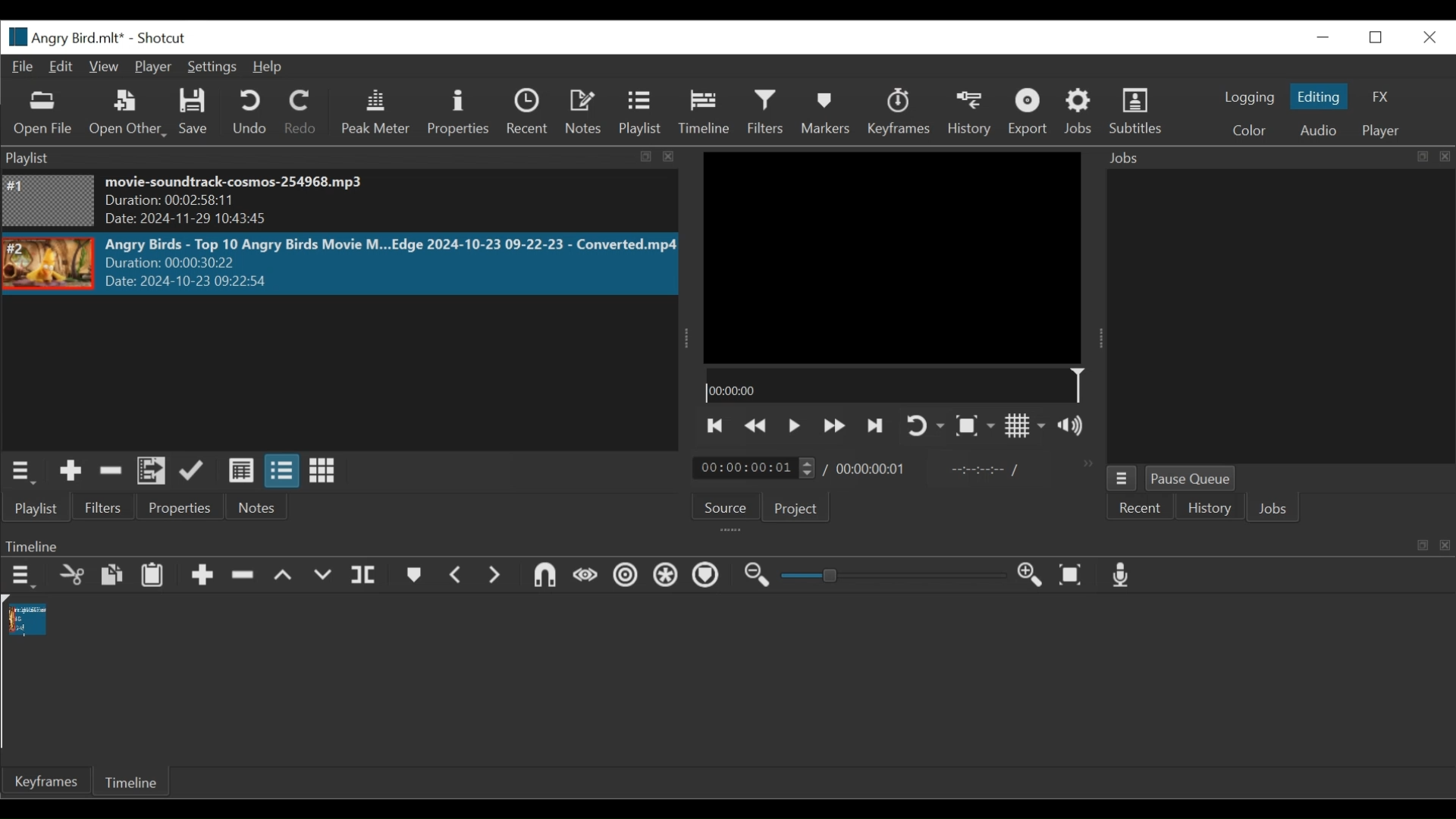 This screenshot has height=819, width=1456. I want to click on Zoom timeline to fit, so click(1073, 575).